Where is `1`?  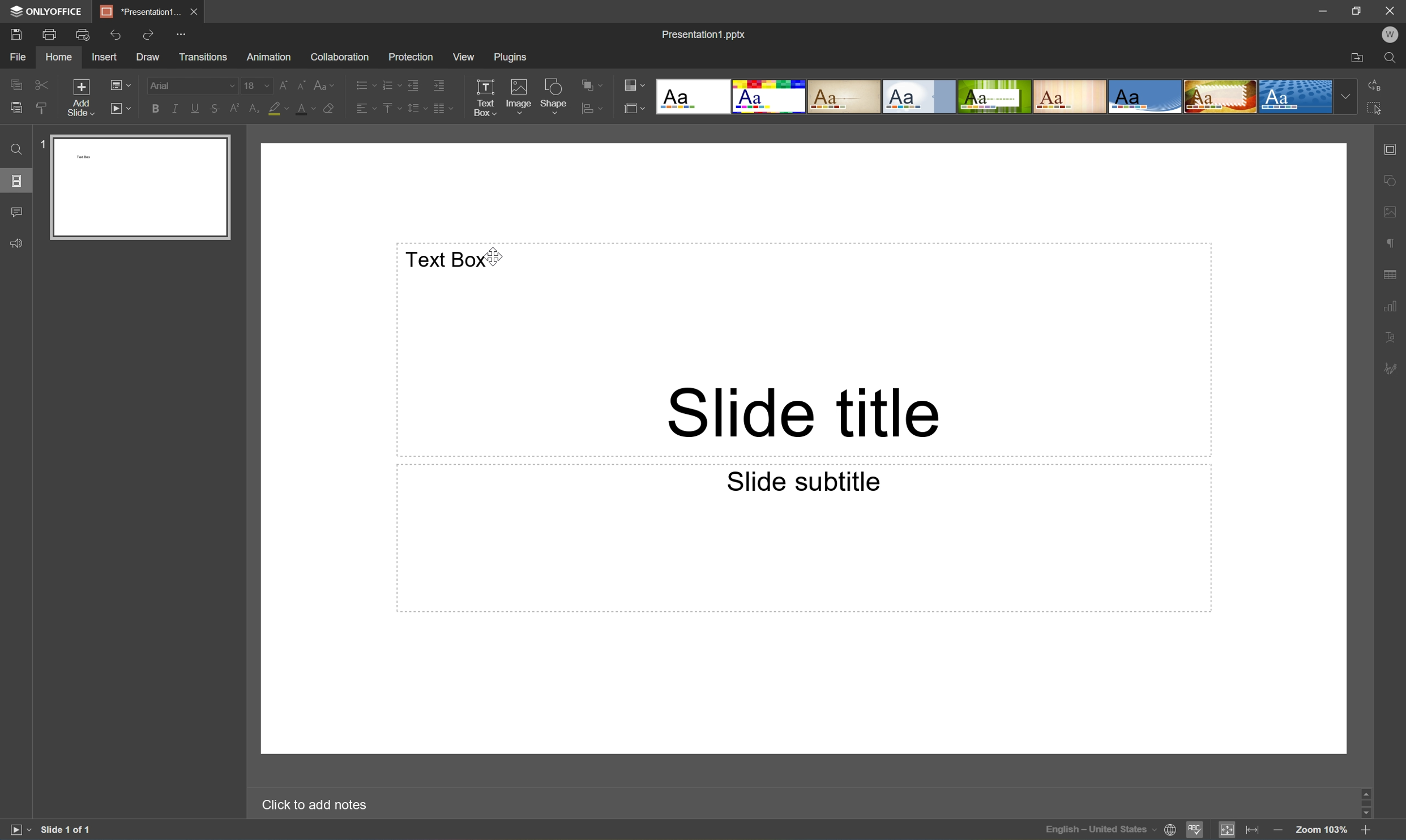
1 is located at coordinates (43, 142).